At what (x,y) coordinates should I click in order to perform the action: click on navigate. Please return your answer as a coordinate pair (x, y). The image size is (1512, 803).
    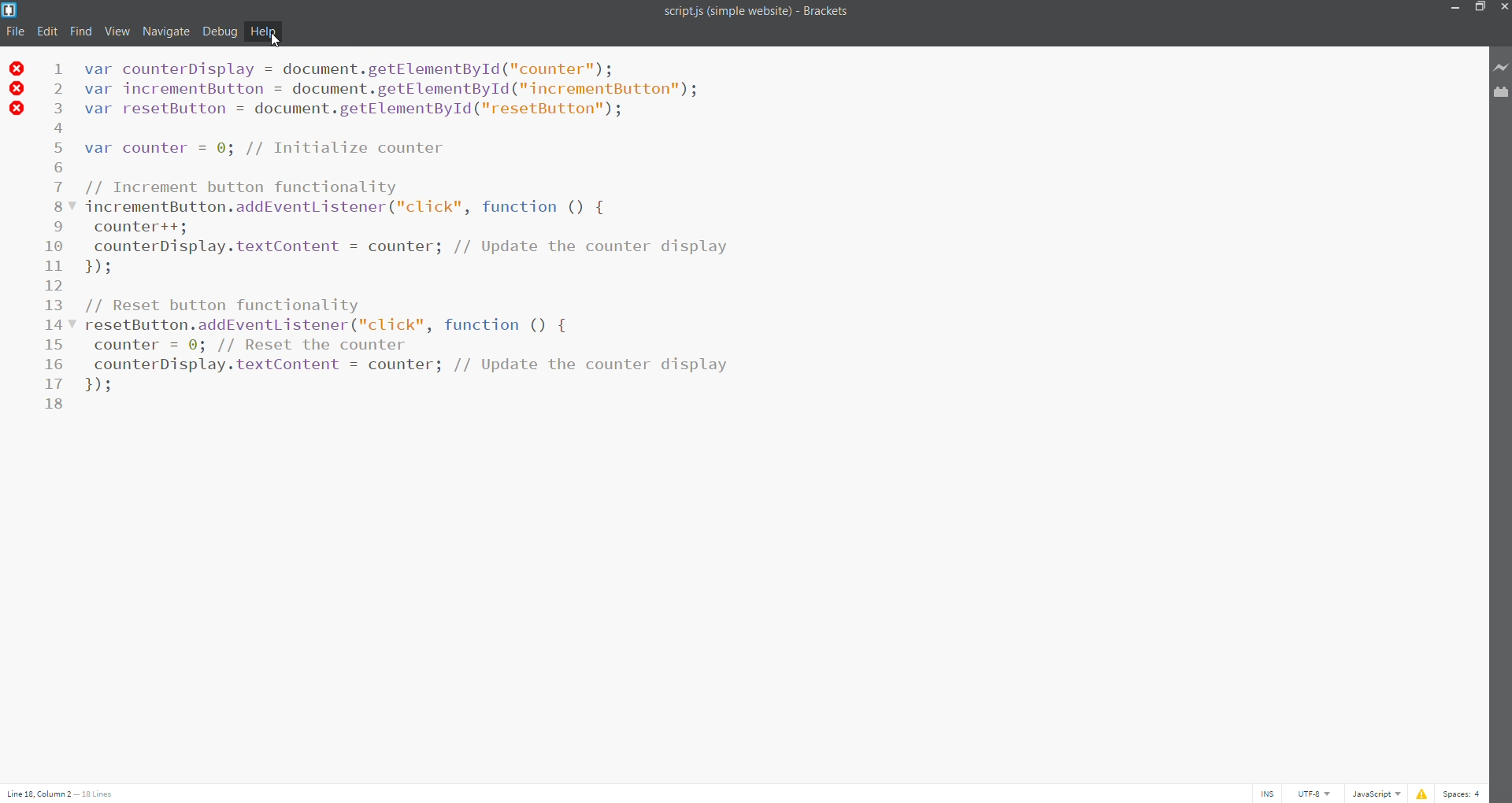
    Looking at the image, I should click on (166, 30).